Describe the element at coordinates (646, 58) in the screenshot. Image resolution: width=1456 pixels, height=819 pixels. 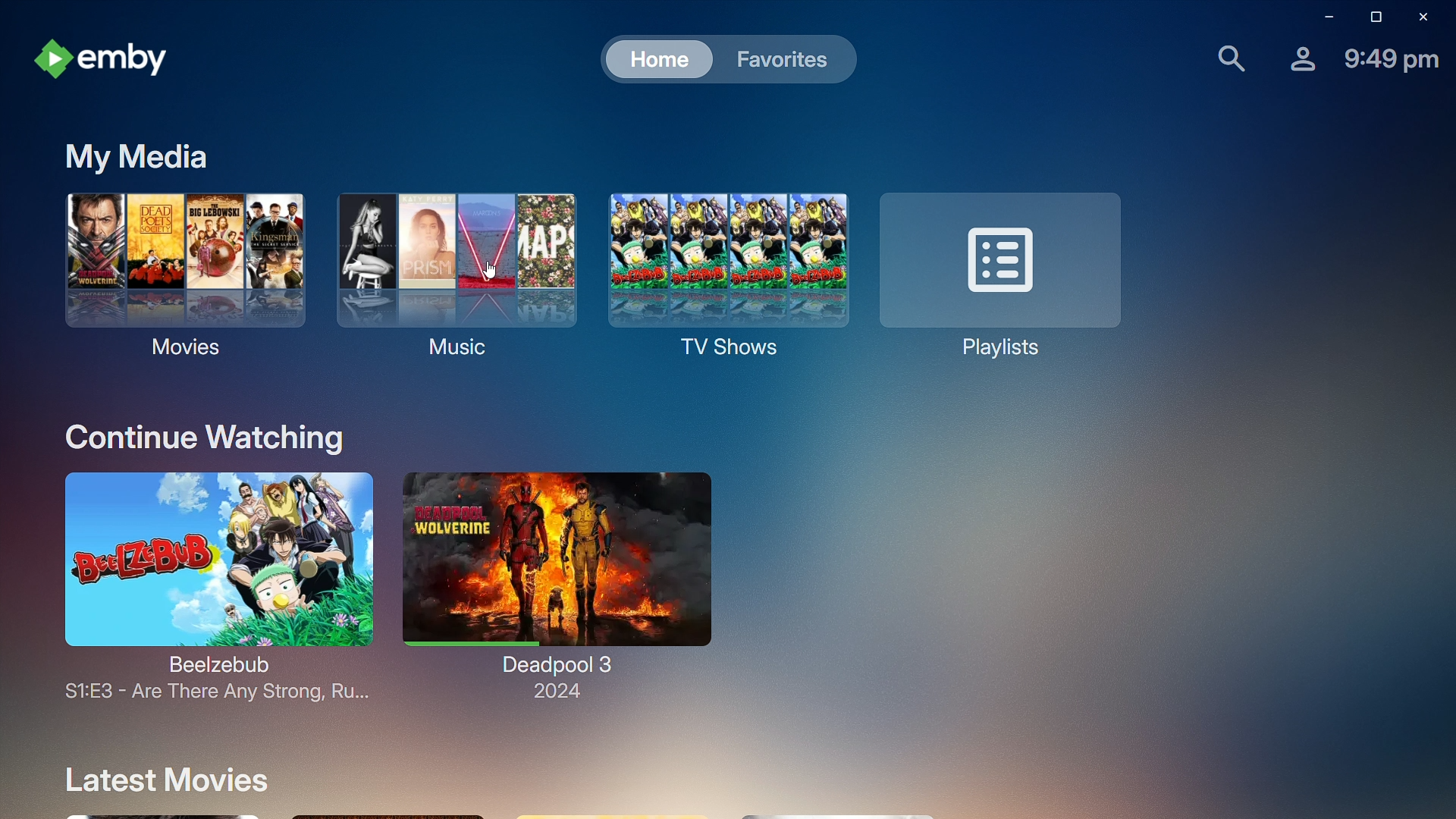
I see `Home` at that location.